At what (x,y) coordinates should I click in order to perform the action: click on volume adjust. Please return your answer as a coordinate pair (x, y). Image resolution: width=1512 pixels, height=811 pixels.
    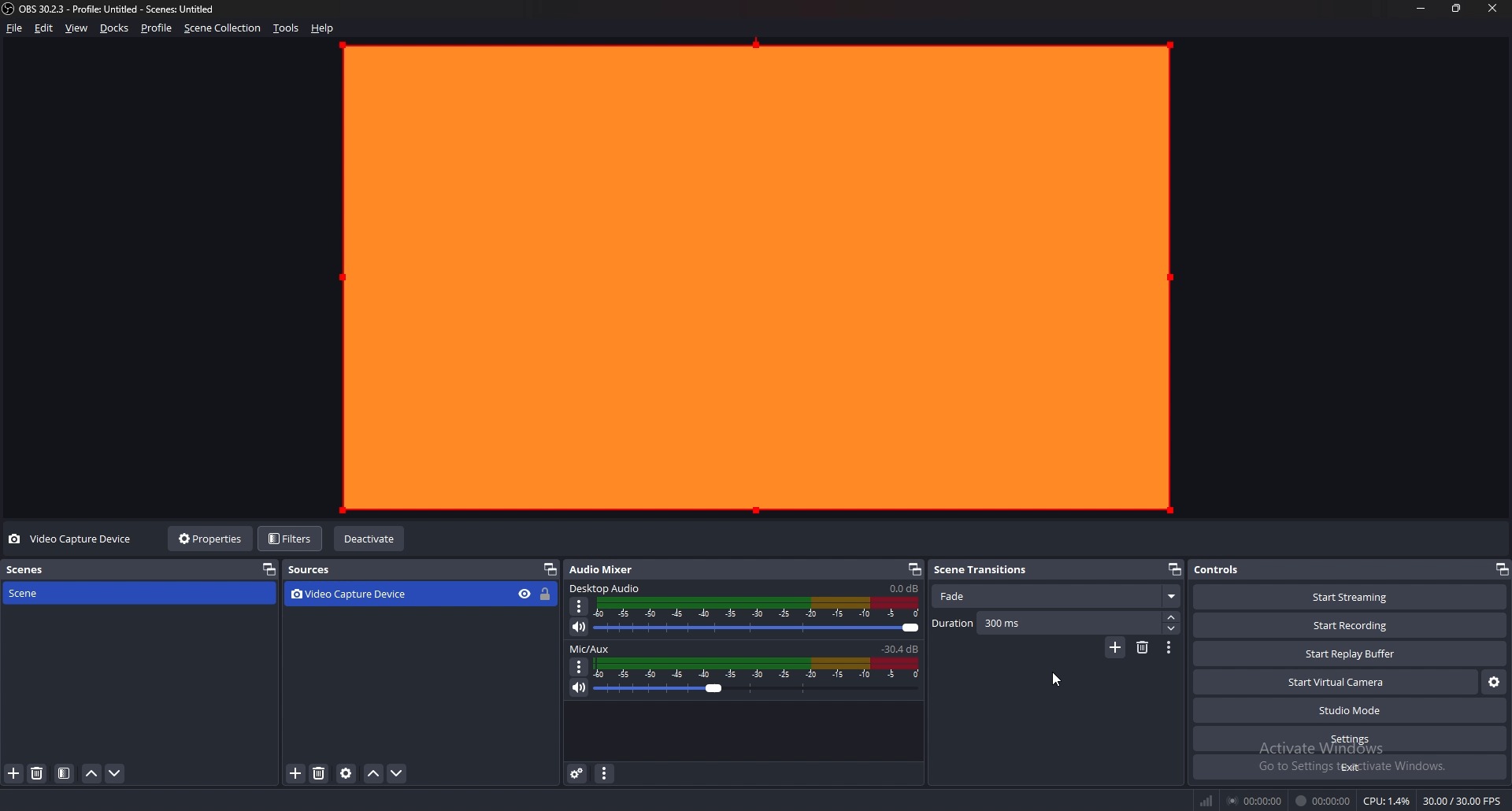
    Looking at the image, I should click on (758, 677).